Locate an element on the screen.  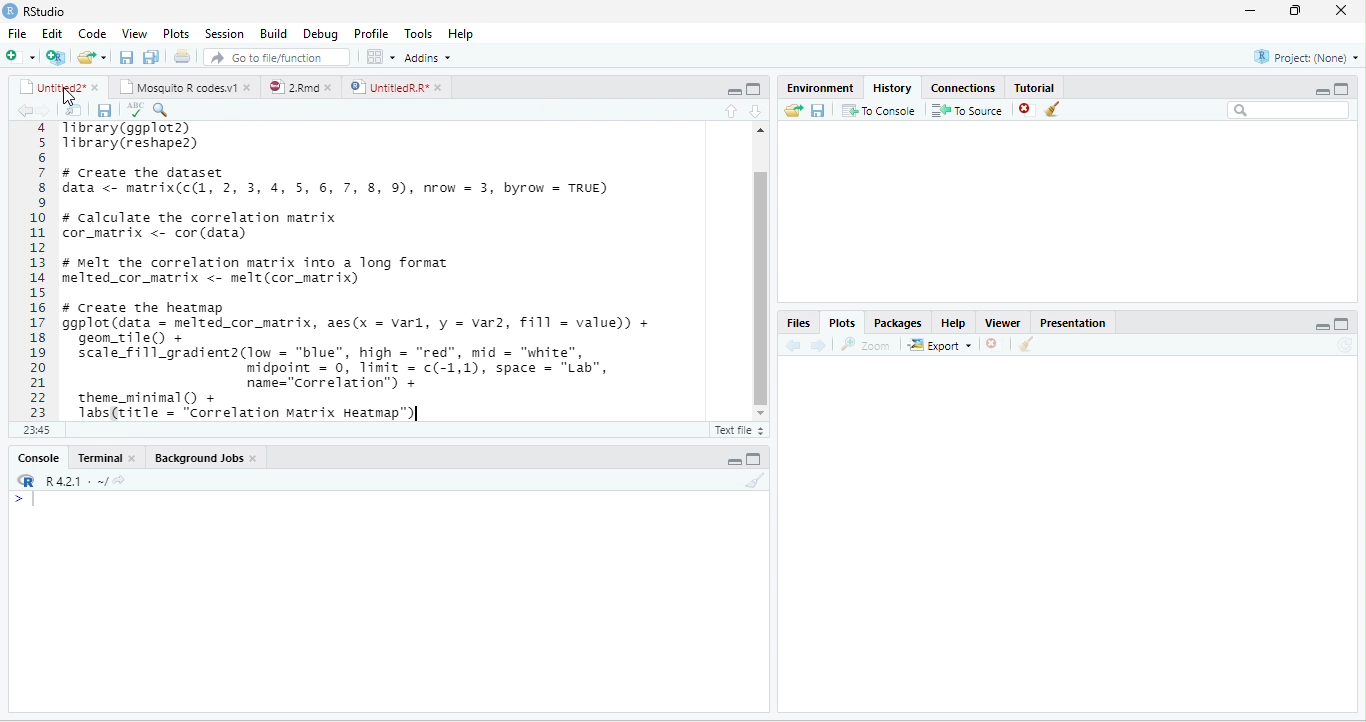
files is located at coordinates (69, 108).